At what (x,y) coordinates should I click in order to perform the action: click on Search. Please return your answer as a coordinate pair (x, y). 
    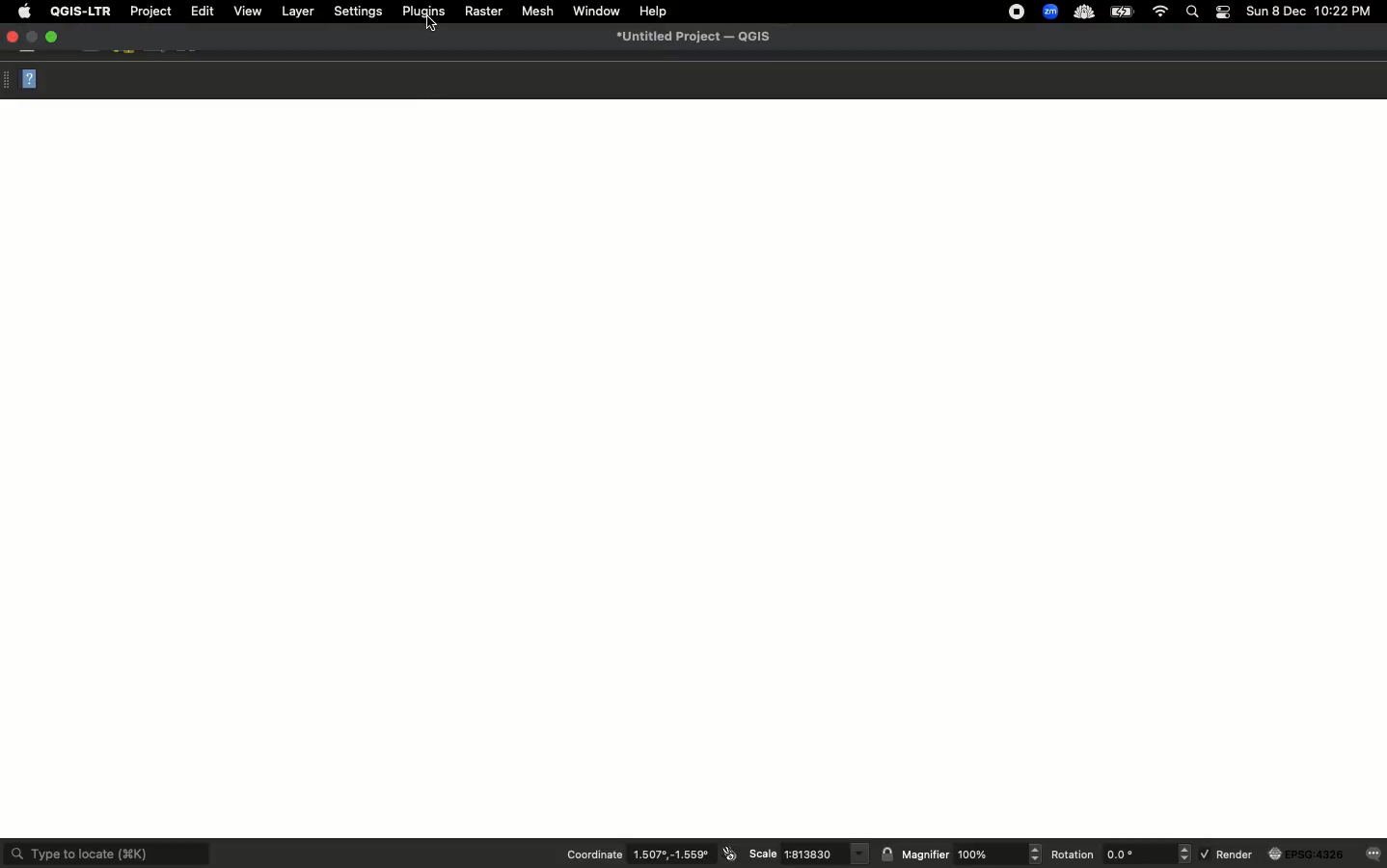
    Looking at the image, I should click on (1193, 12).